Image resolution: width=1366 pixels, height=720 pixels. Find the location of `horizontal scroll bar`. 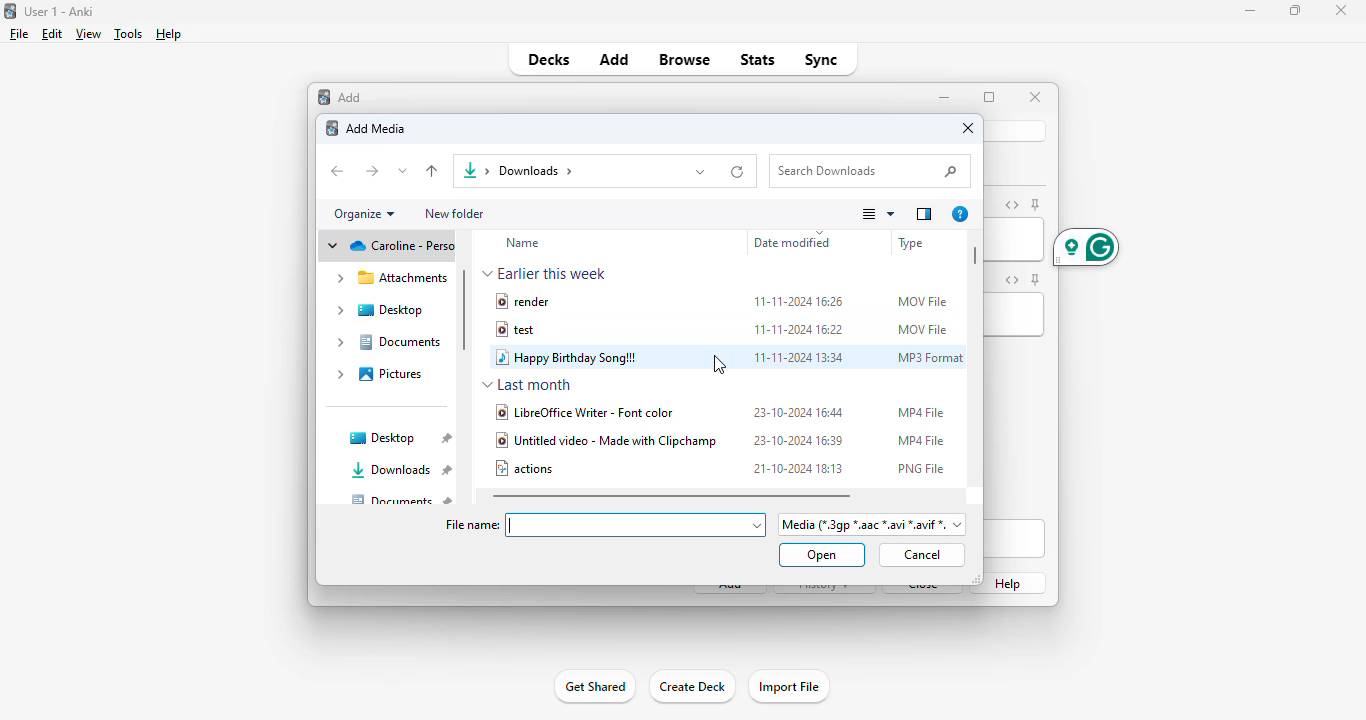

horizontal scroll bar is located at coordinates (975, 256).